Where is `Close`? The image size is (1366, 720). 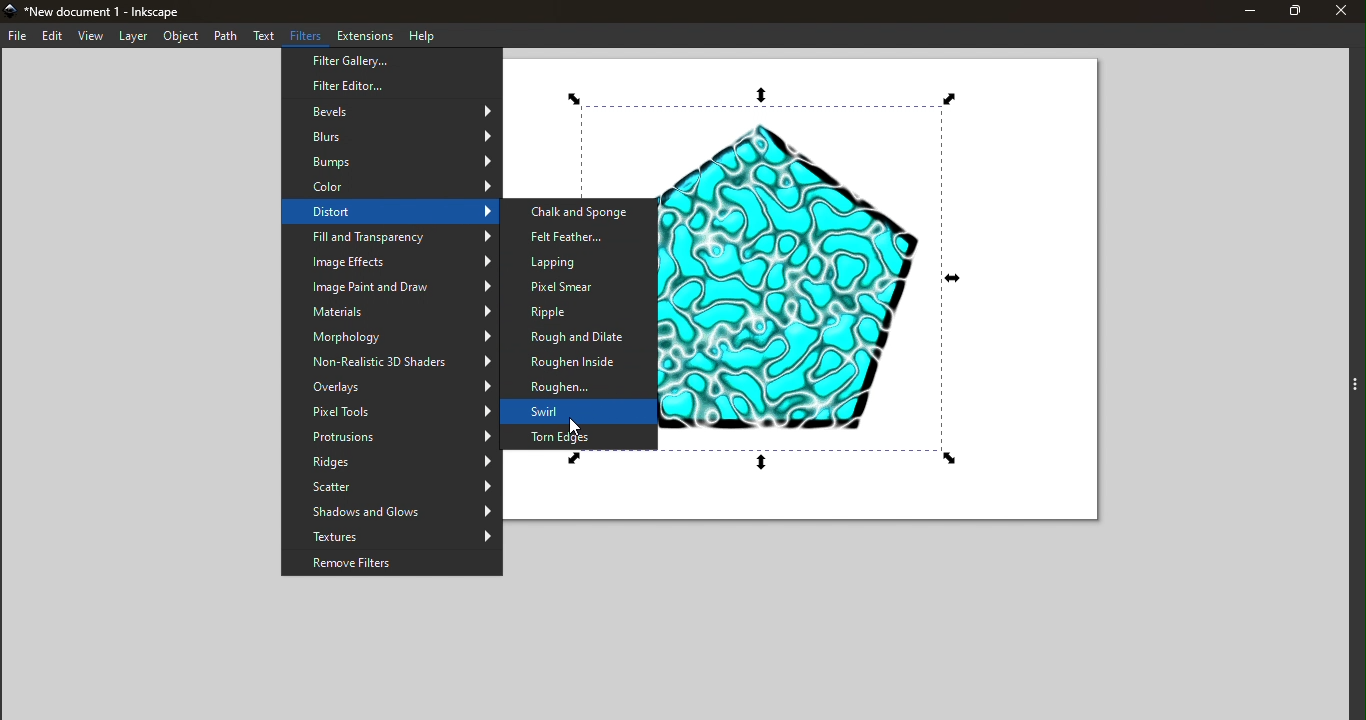
Close is located at coordinates (1345, 10).